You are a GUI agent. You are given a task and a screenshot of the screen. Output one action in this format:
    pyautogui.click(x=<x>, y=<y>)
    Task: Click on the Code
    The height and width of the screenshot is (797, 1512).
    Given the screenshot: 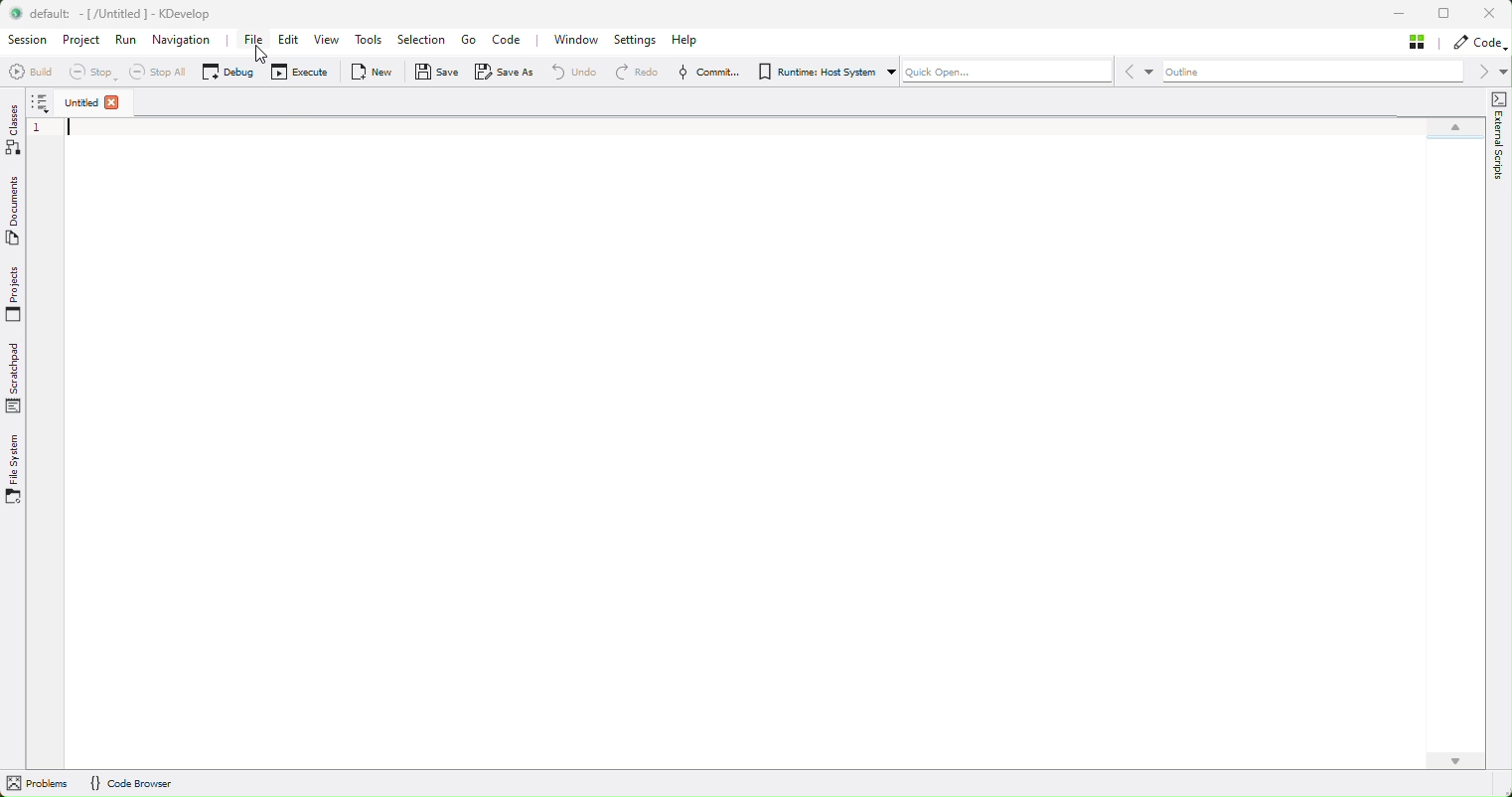 What is the action you would take?
    pyautogui.click(x=513, y=42)
    